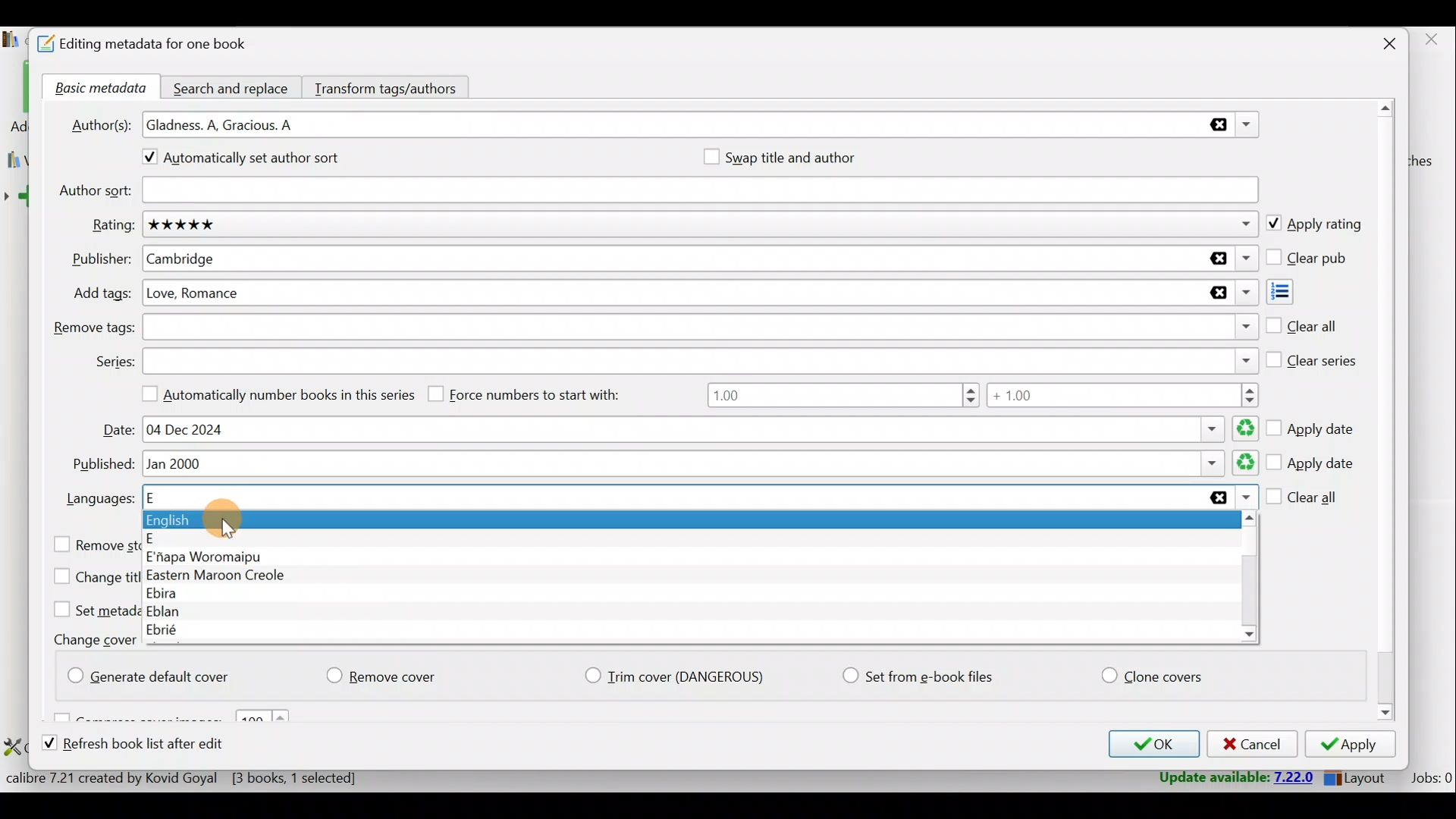  I want to click on Date, so click(698, 429).